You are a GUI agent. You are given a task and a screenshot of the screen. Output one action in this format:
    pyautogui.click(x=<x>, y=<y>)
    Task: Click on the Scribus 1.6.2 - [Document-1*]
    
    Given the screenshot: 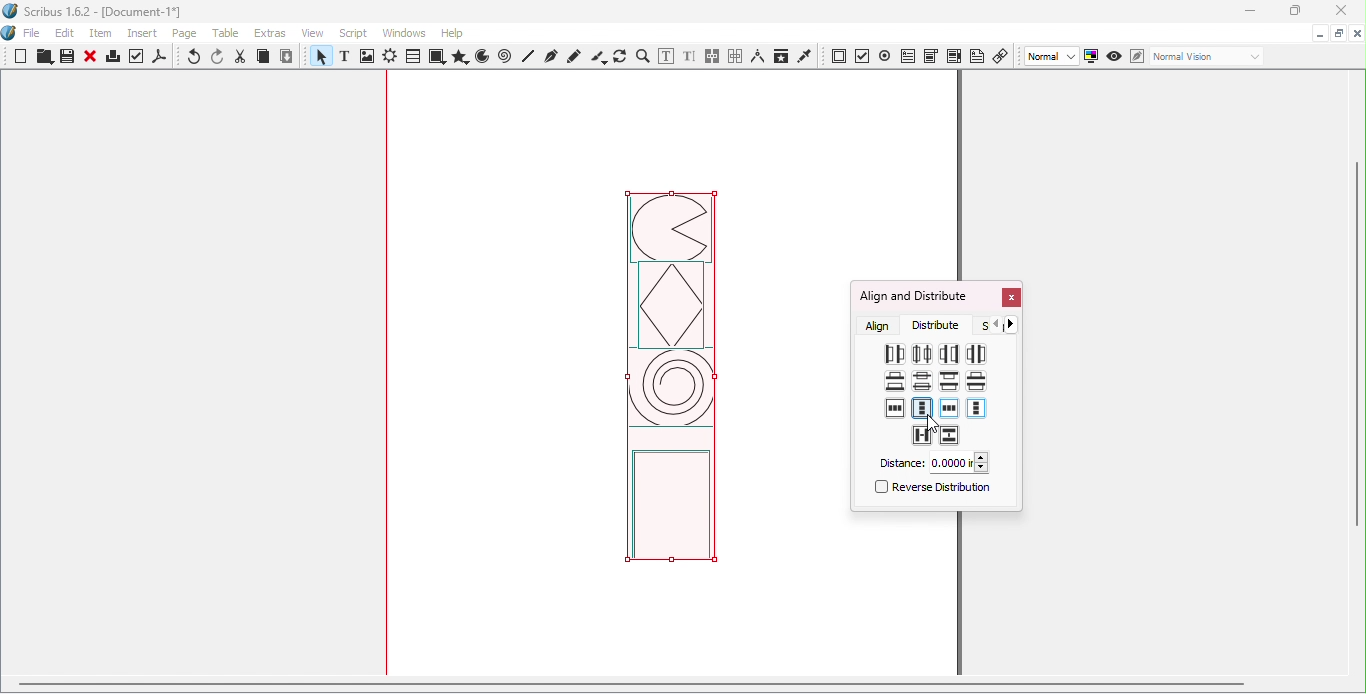 What is the action you would take?
    pyautogui.click(x=101, y=13)
    